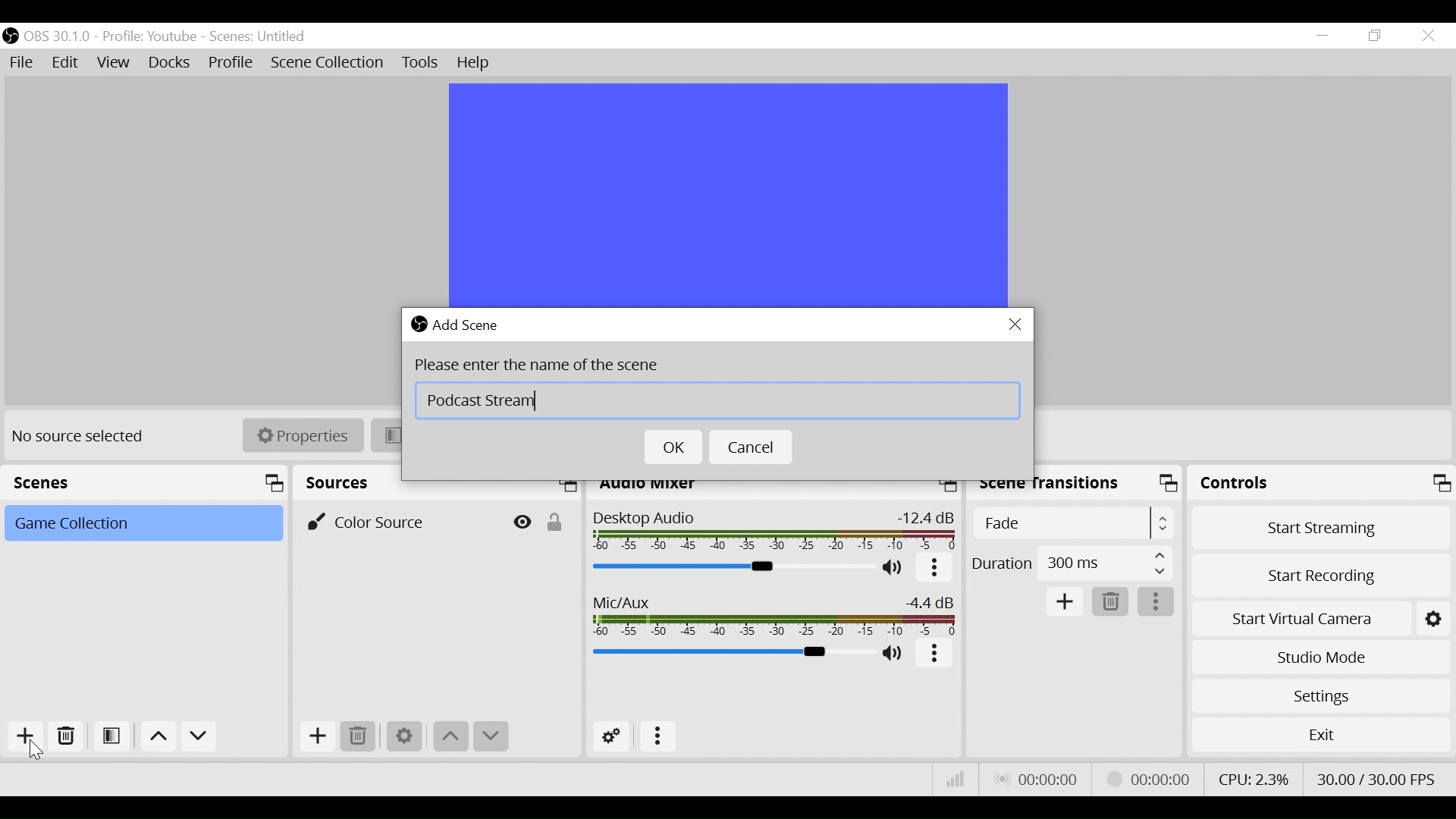  What do you see at coordinates (302, 435) in the screenshot?
I see `Properties` at bounding box center [302, 435].